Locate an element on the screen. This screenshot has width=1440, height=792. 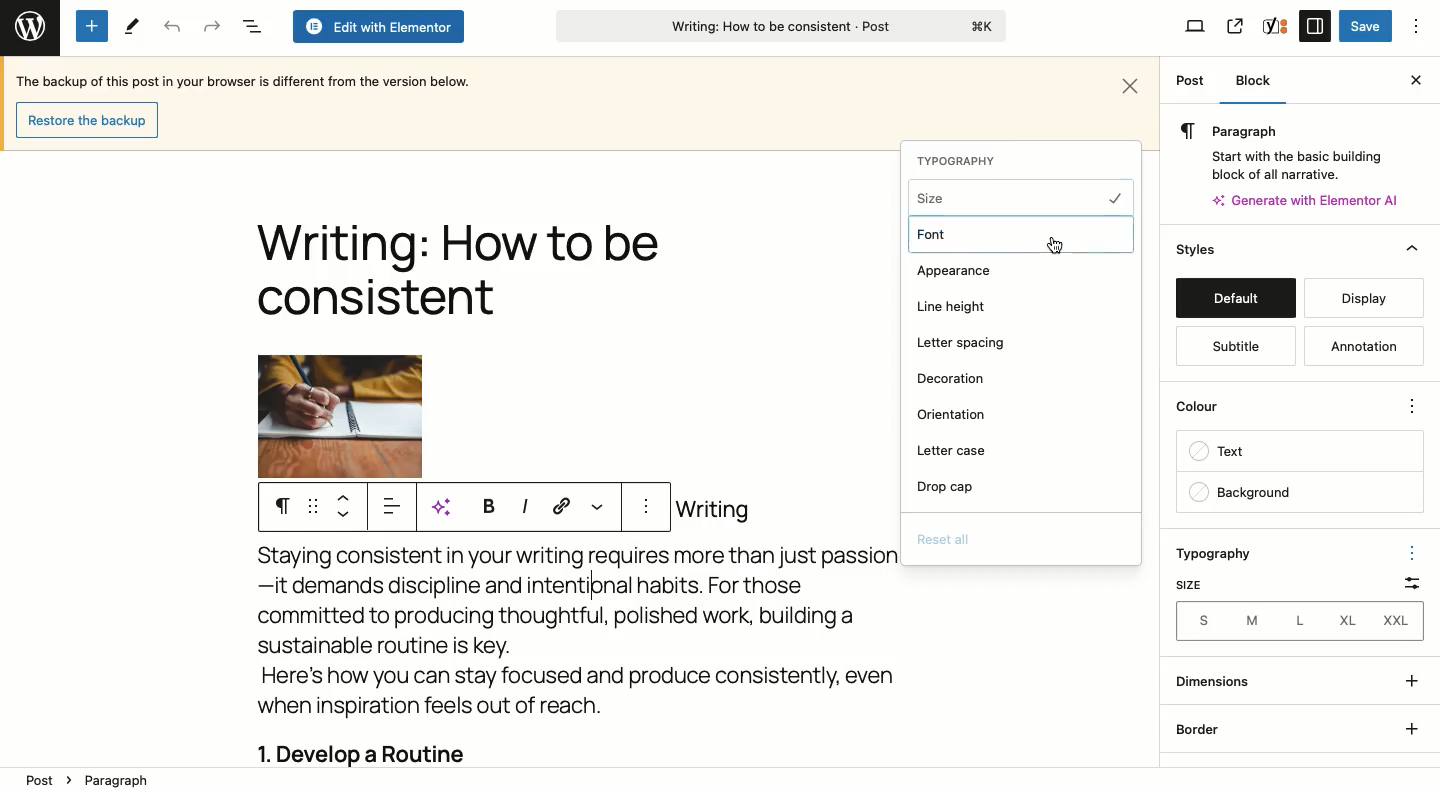
+ is located at coordinates (1413, 684).